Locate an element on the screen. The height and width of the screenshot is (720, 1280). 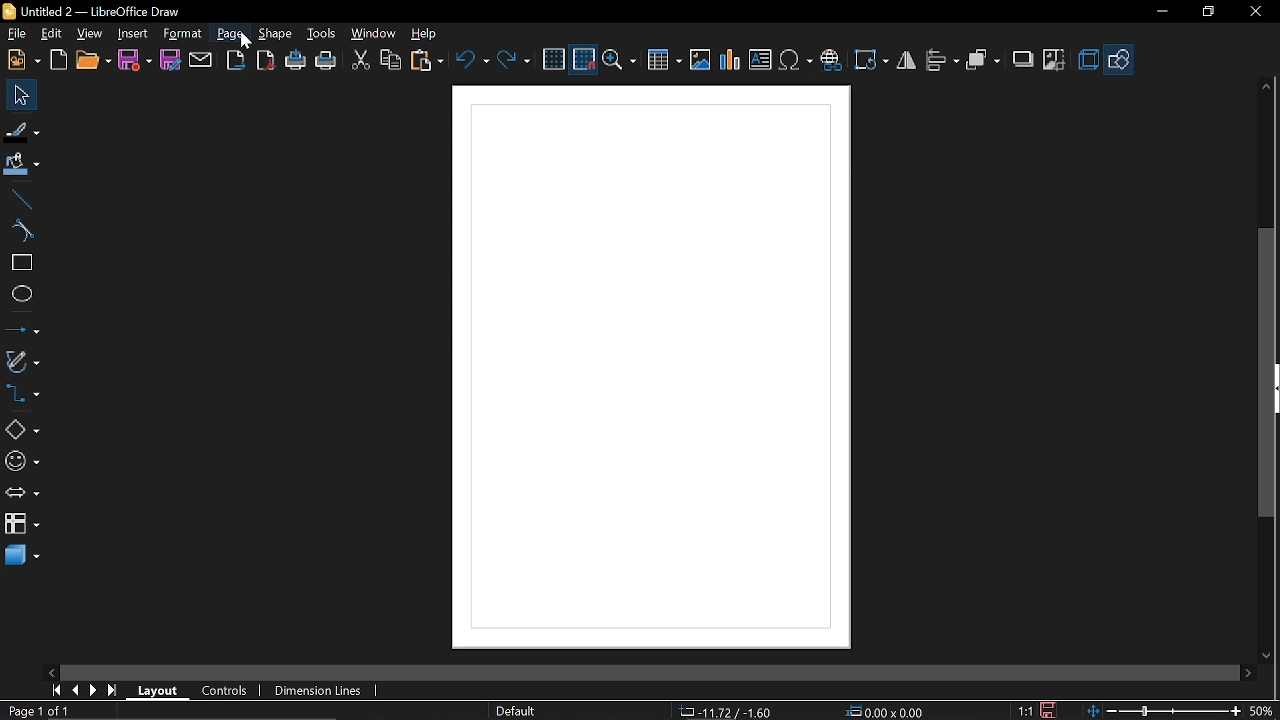
Restore down is located at coordinates (1206, 14).